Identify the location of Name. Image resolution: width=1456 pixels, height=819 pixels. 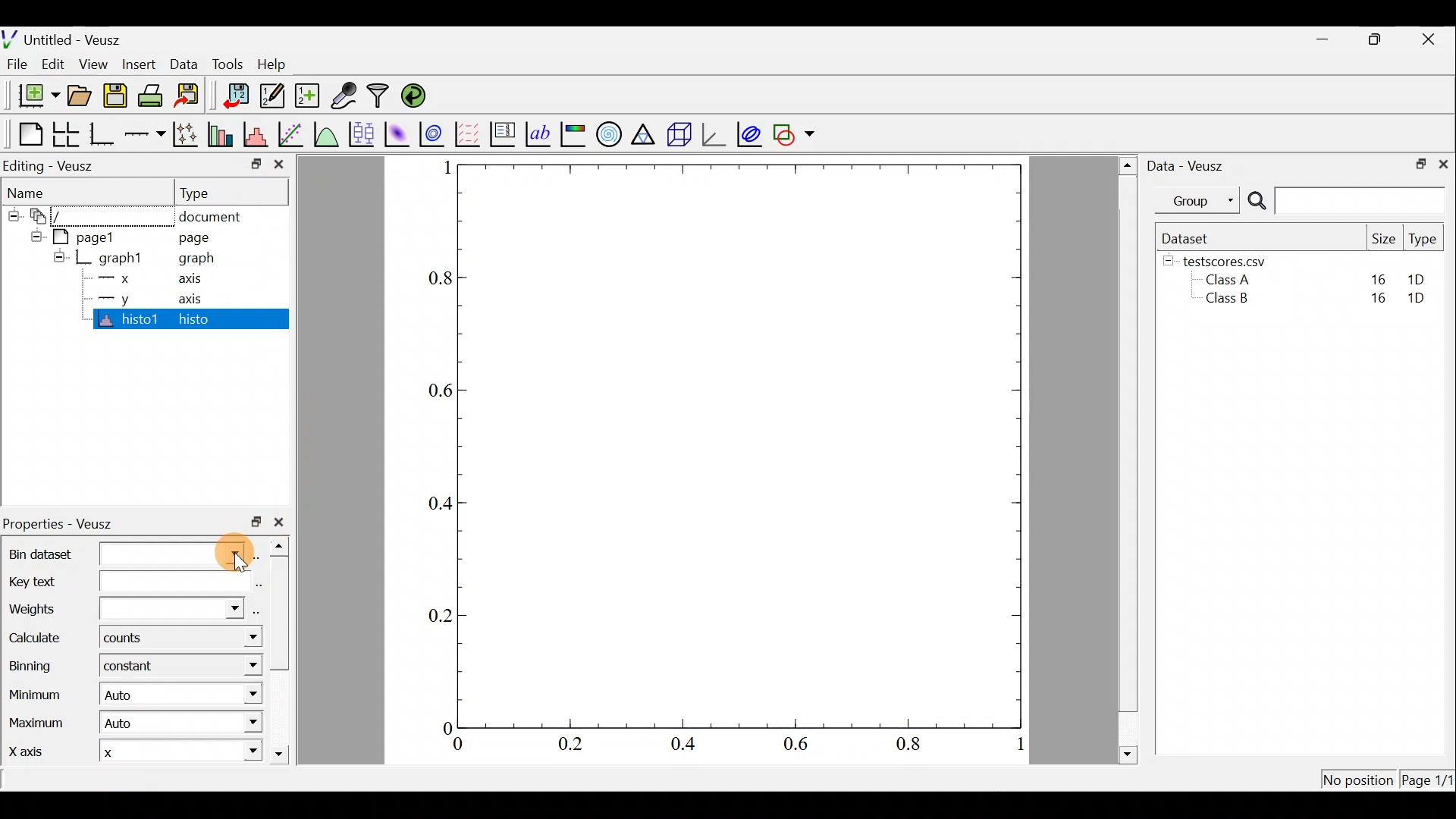
(45, 193).